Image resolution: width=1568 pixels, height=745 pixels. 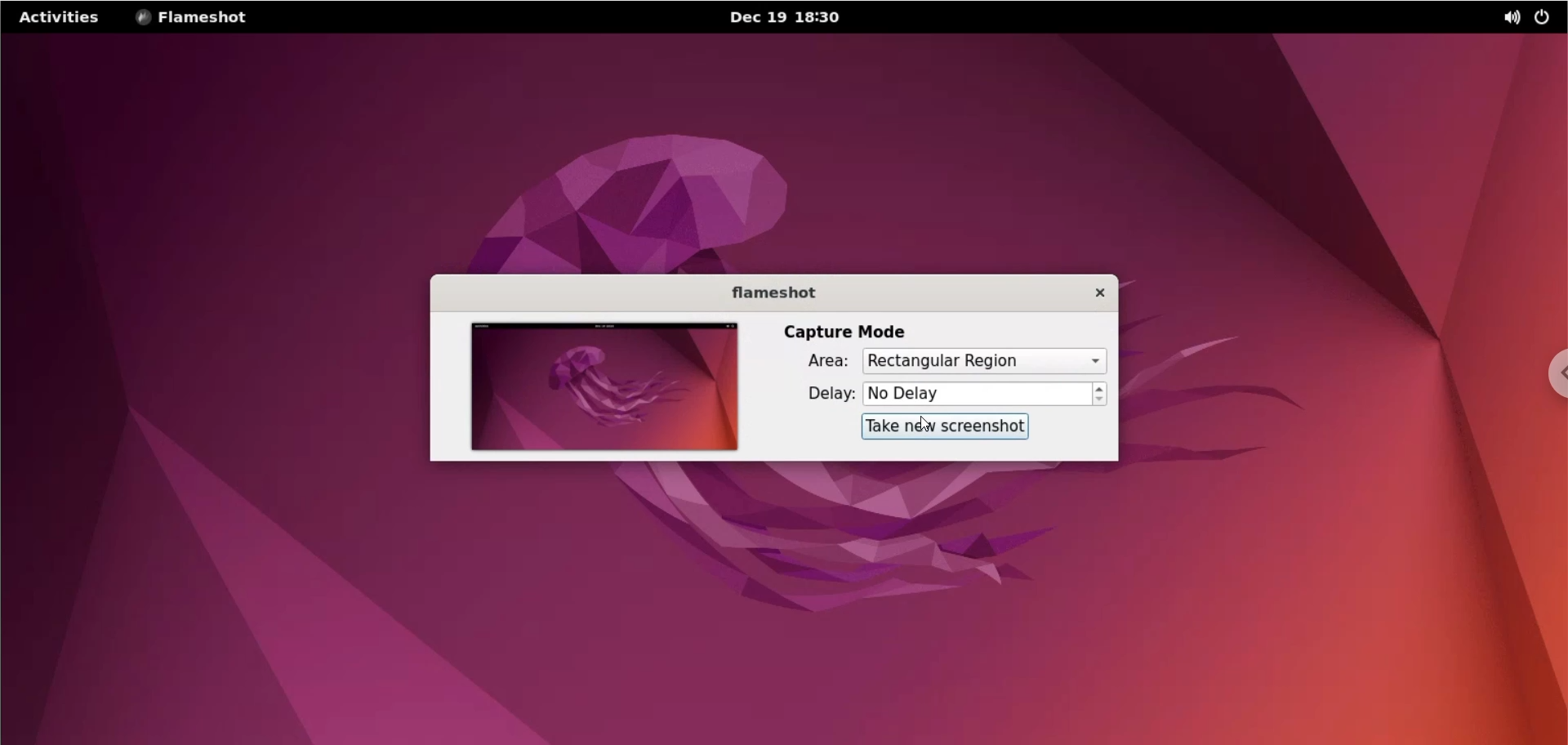 What do you see at coordinates (840, 332) in the screenshot?
I see `capture mode` at bounding box center [840, 332].